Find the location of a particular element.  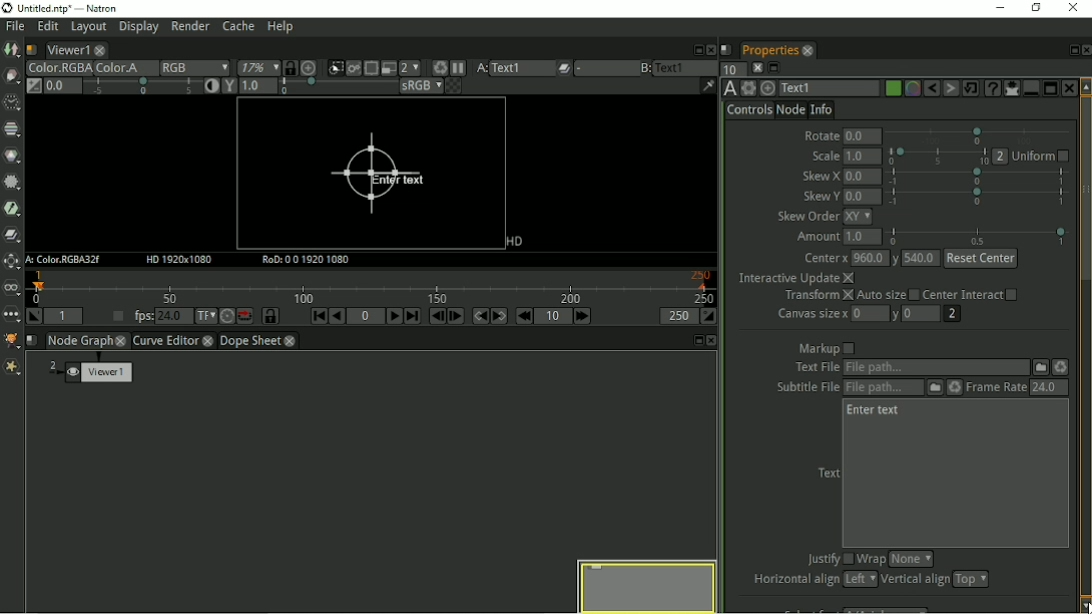

0 is located at coordinates (922, 313).